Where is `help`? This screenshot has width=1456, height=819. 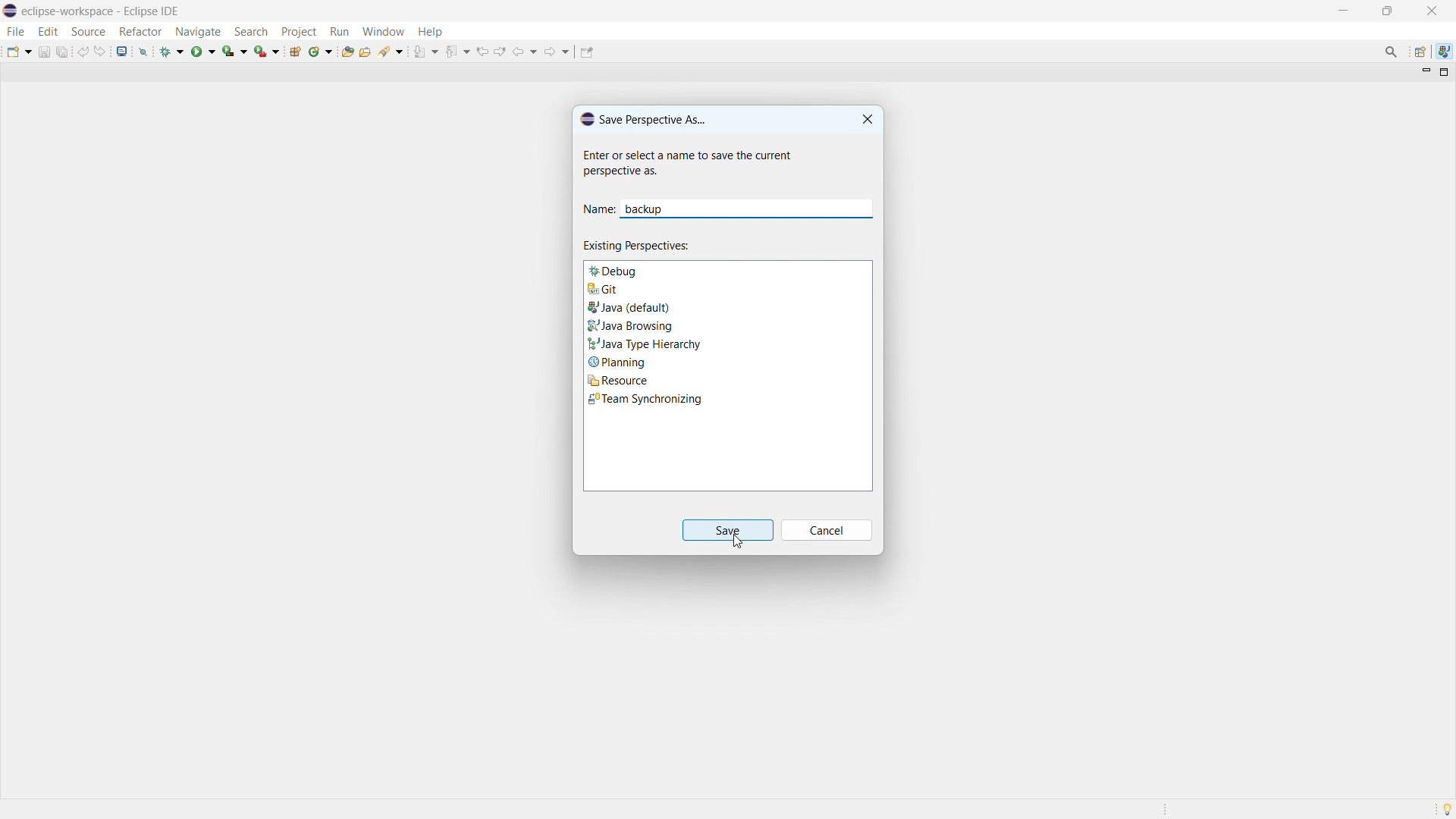
help is located at coordinates (431, 32).